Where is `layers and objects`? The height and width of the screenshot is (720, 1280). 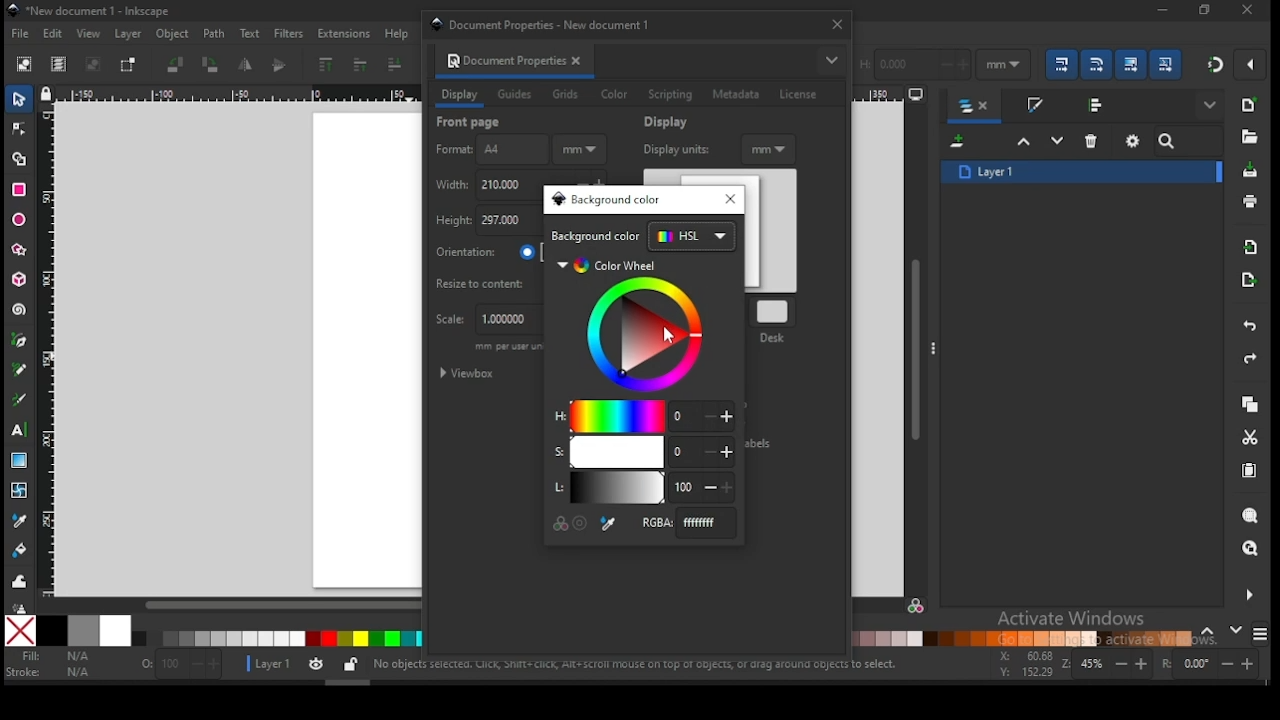 layers and objects is located at coordinates (976, 107).